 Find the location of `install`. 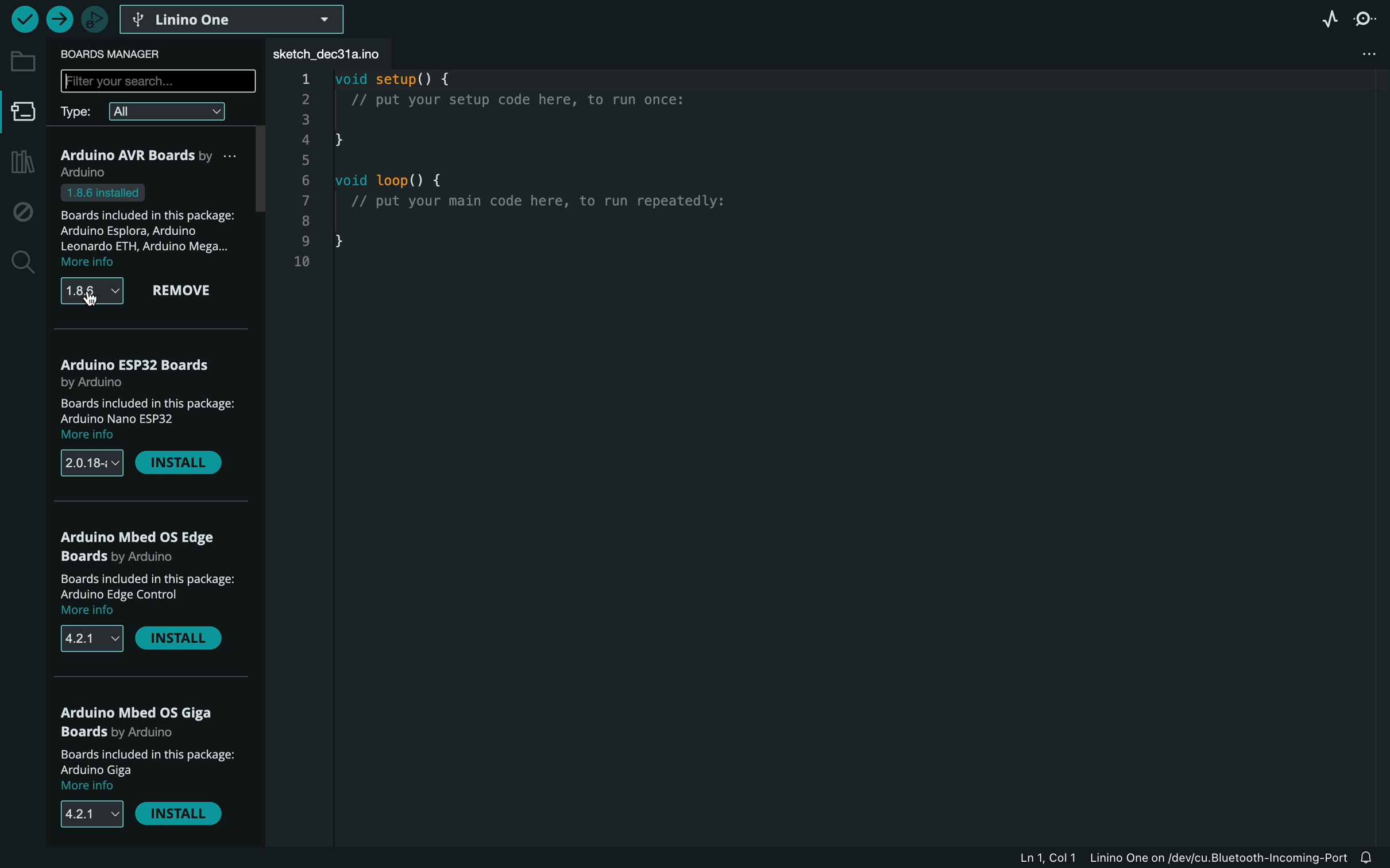

install is located at coordinates (183, 641).